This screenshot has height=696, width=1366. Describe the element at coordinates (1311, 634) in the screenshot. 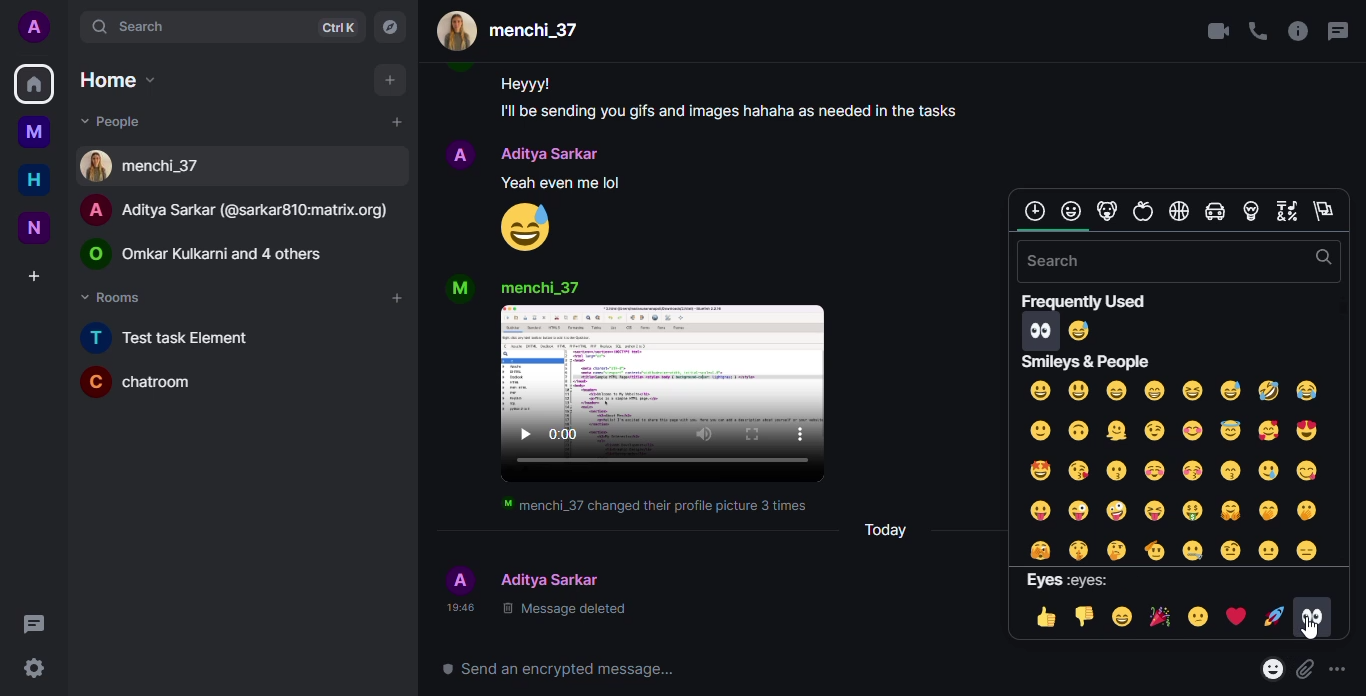

I see `cursor` at that location.